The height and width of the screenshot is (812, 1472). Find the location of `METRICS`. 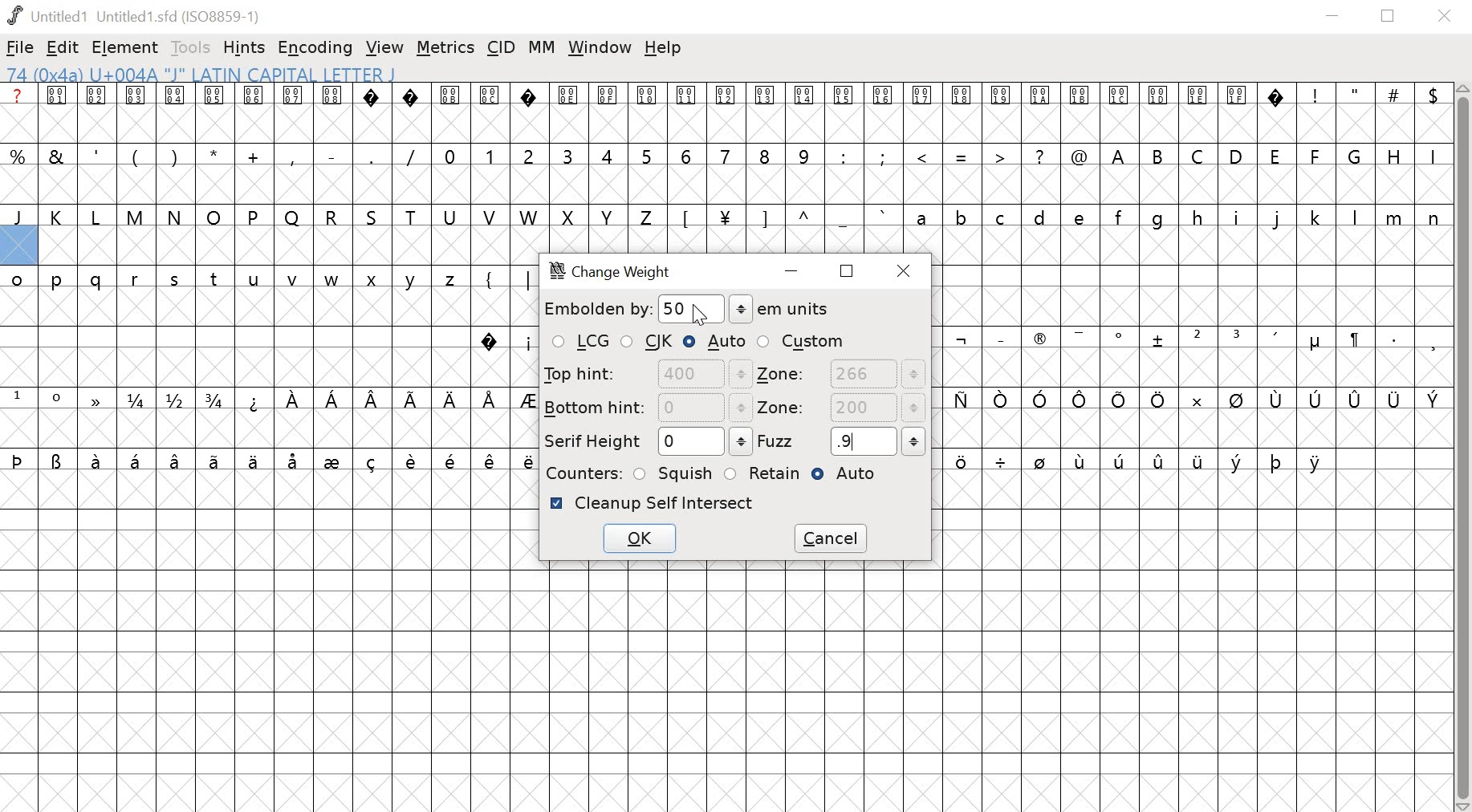

METRICS is located at coordinates (445, 49).